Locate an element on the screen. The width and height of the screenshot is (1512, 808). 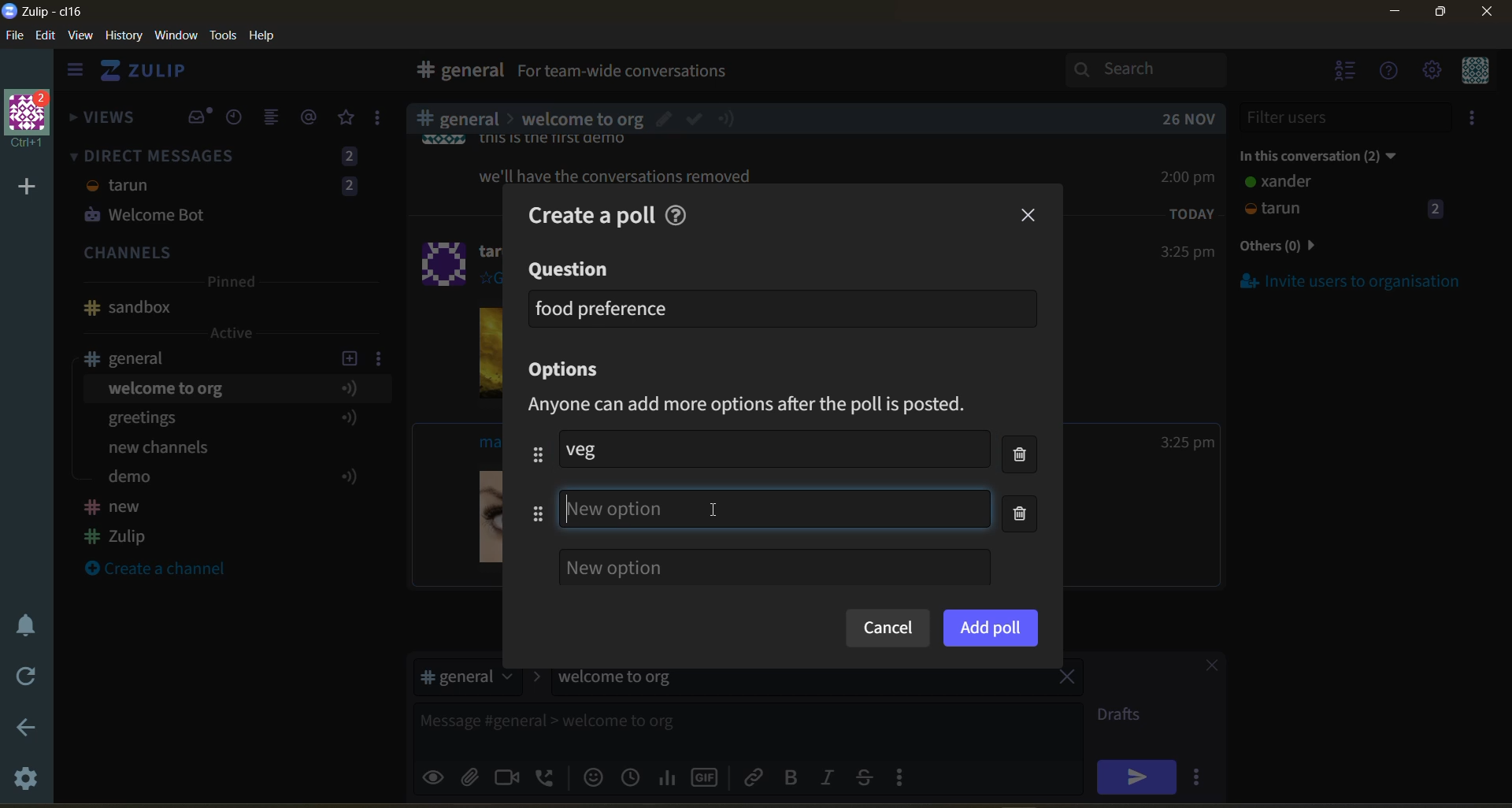
channels is located at coordinates (228, 254).